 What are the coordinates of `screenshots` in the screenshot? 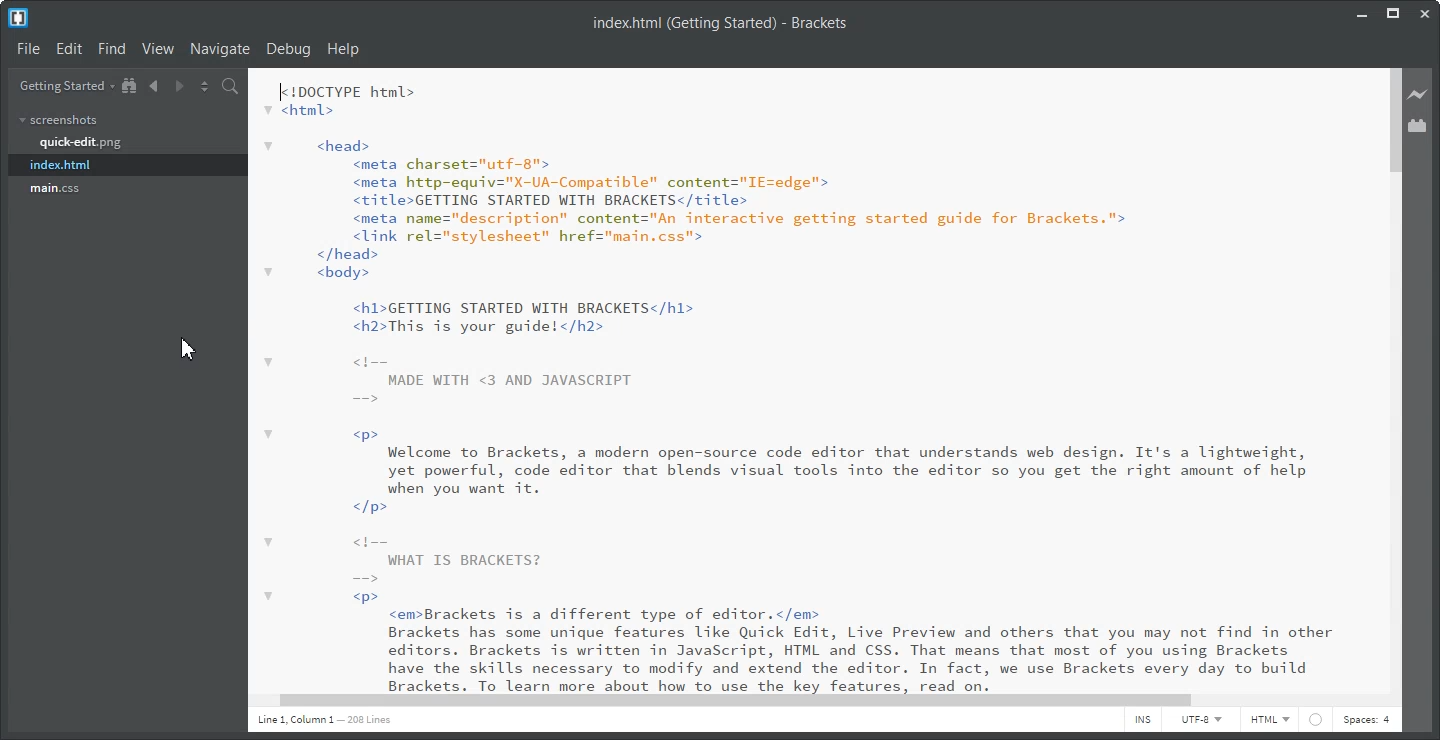 It's located at (59, 121).